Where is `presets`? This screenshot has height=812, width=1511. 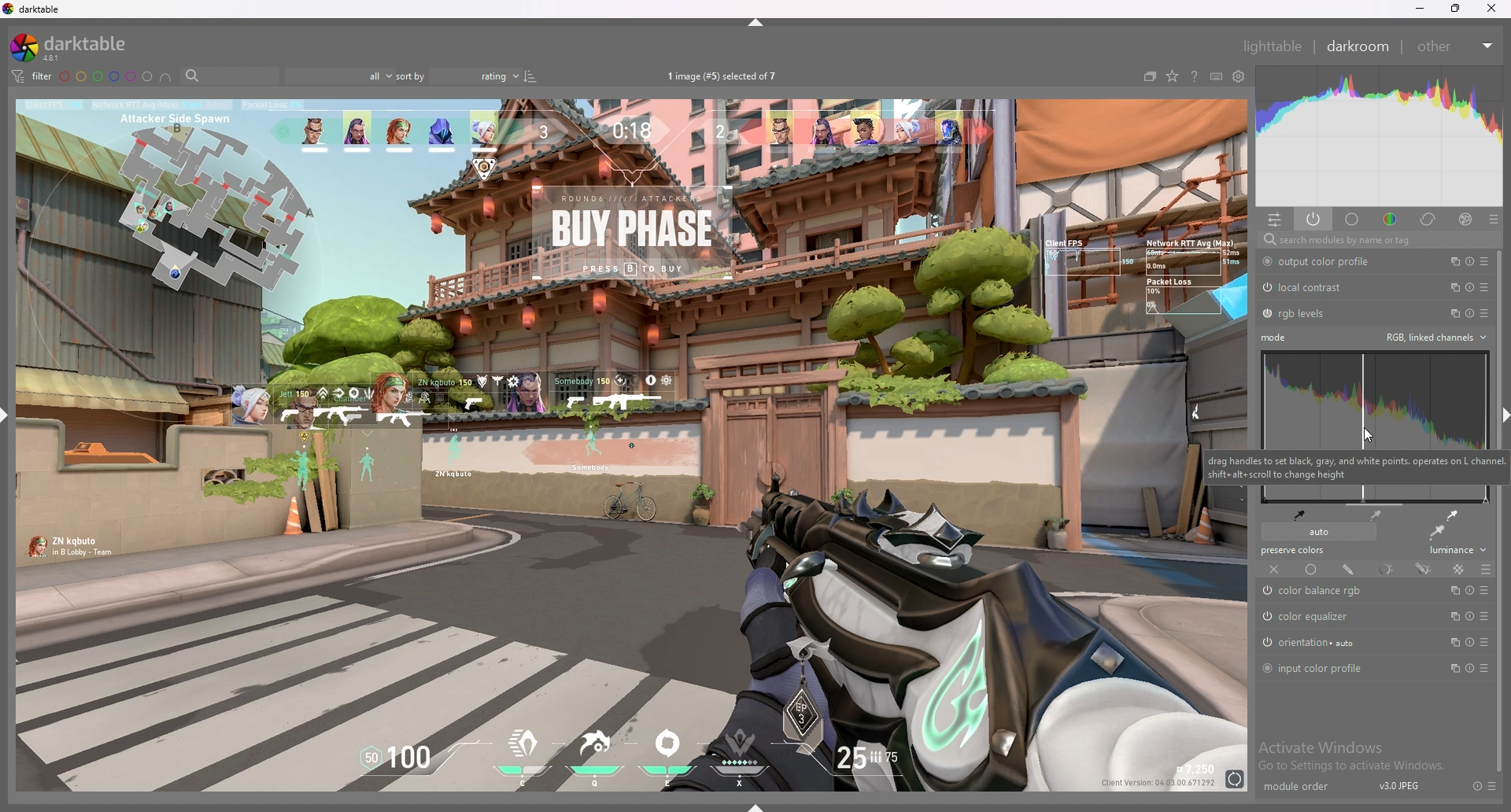 presets is located at coordinates (1494, 785).